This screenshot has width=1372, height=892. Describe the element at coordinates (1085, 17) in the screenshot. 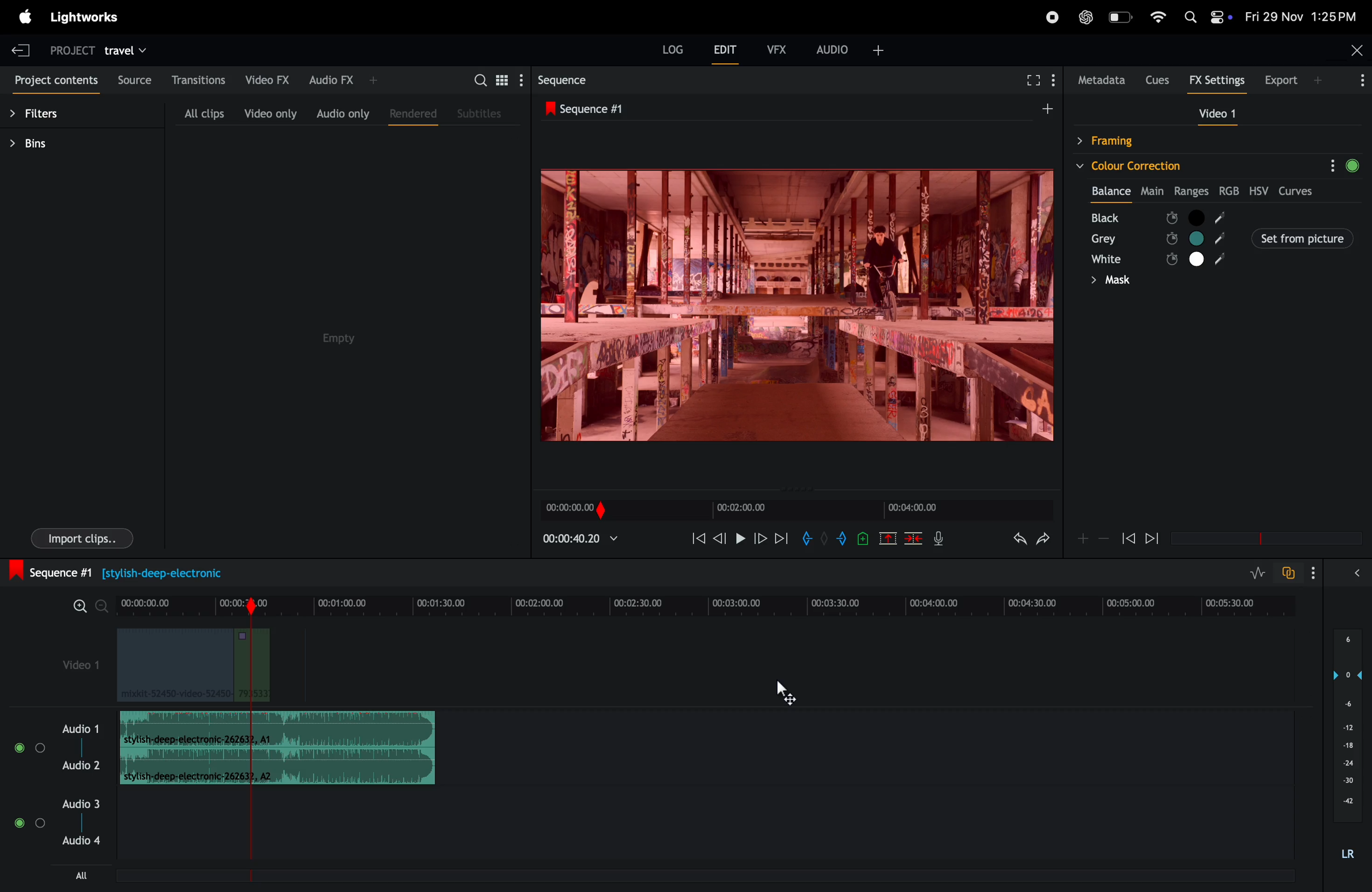

I see `chatgpt` at that location.